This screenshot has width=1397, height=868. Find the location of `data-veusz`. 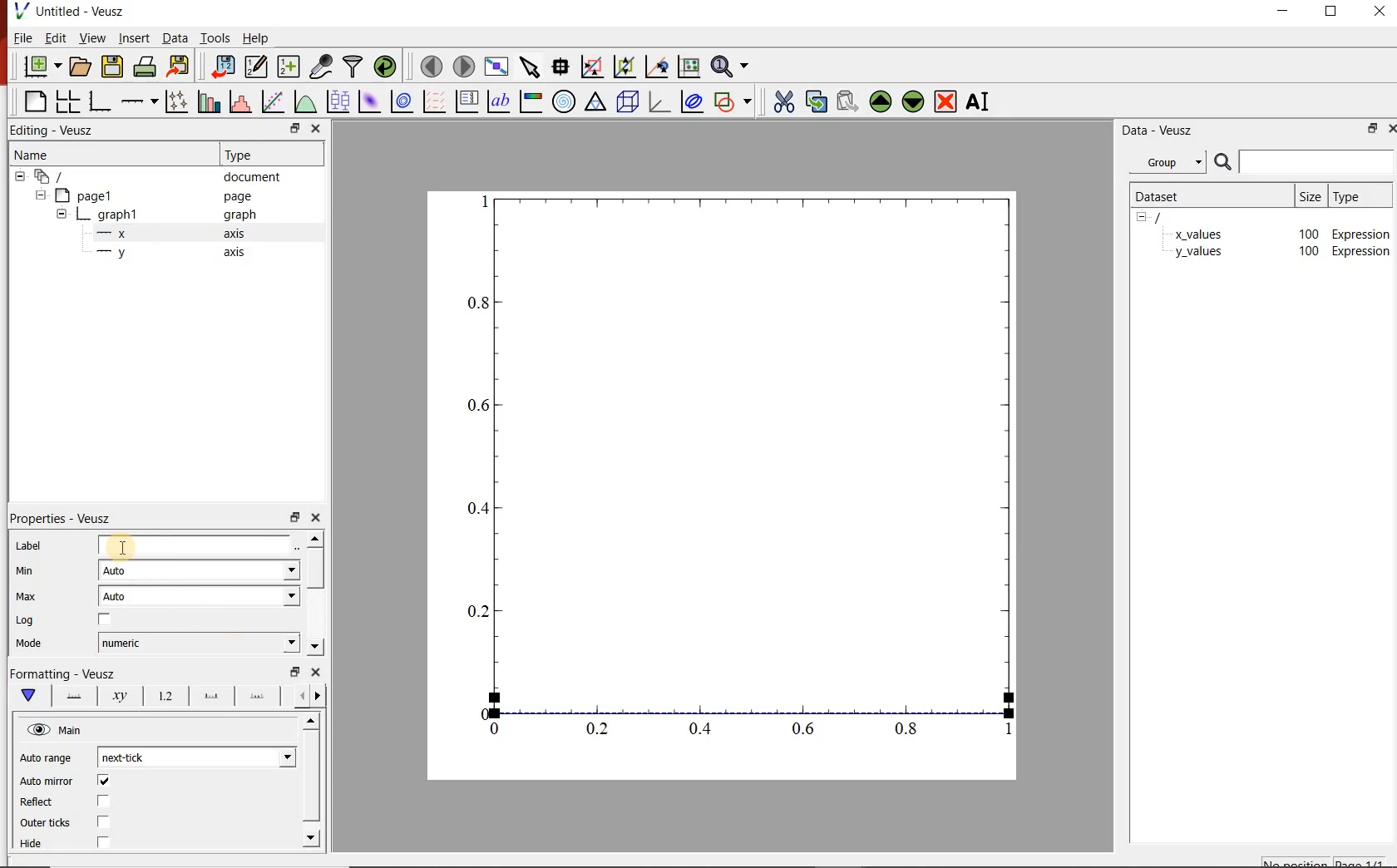

data-veusz is located at coordinates (1158, 132).